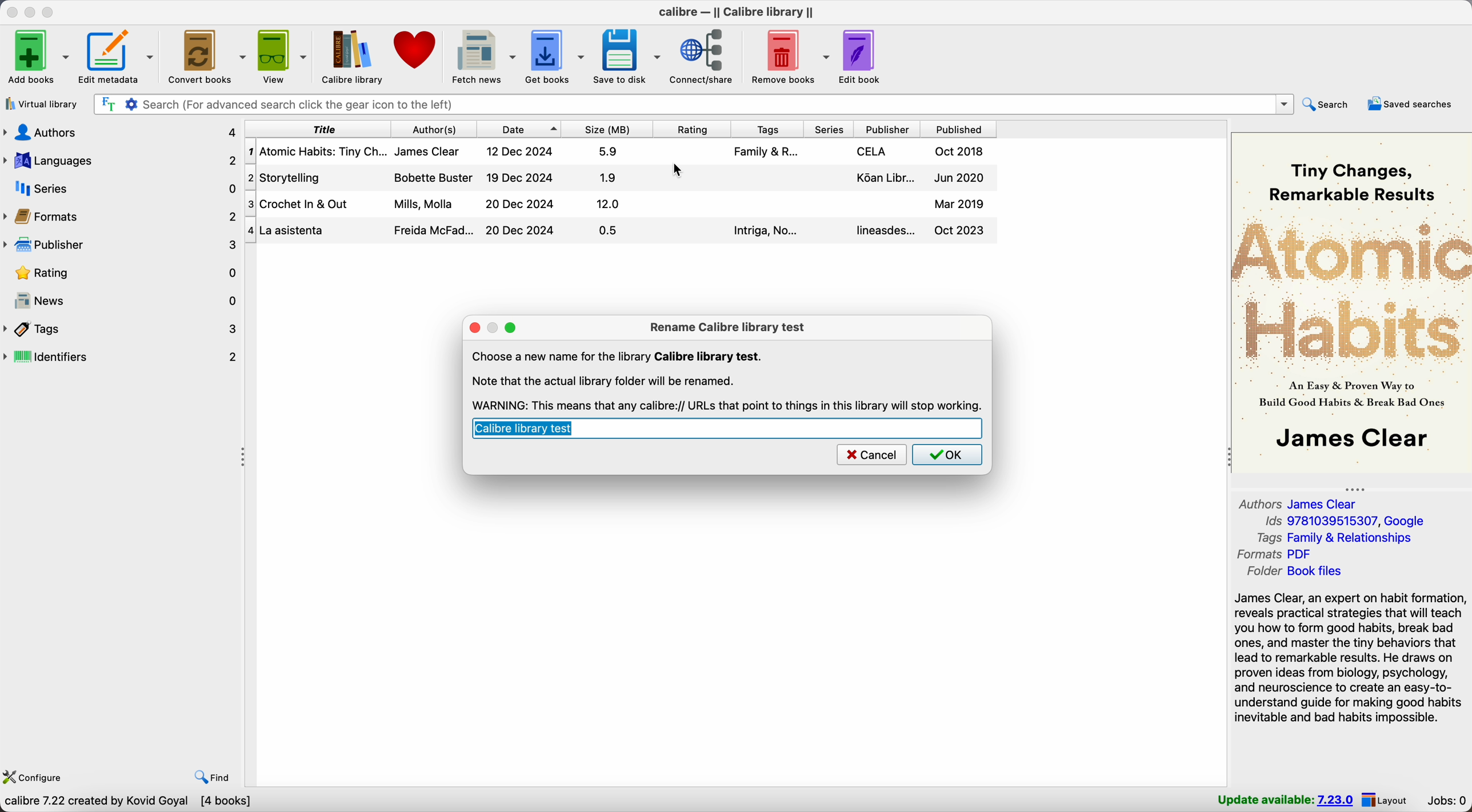 The height and width of the screenshot is (812, 1472). Describe the element at coordinates (738, 10) in the screenshot. I see `Calibre - || Calibre library ||` at that location.